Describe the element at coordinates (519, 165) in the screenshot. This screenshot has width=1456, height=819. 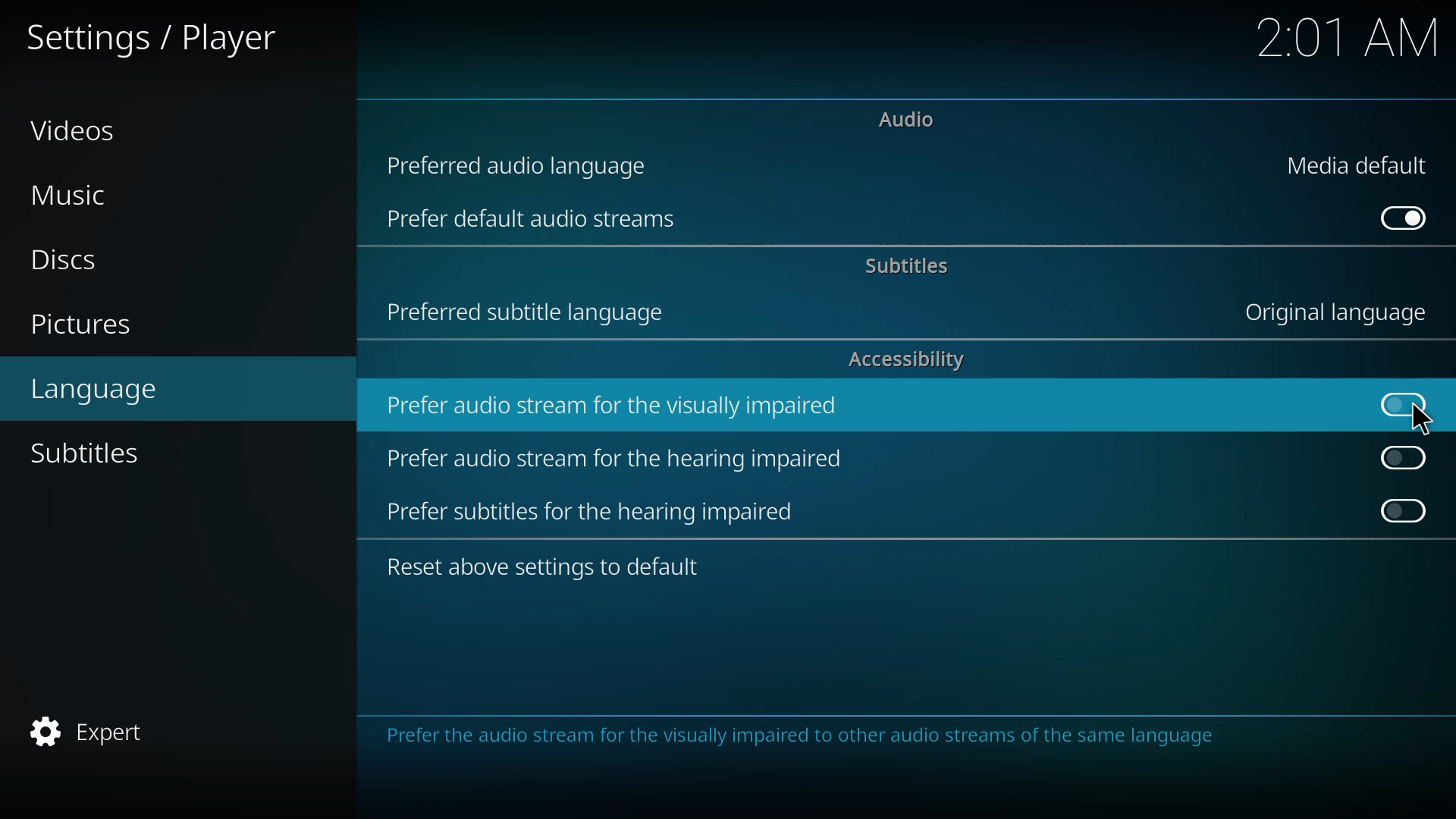
I see `preferred audio language` at that location.